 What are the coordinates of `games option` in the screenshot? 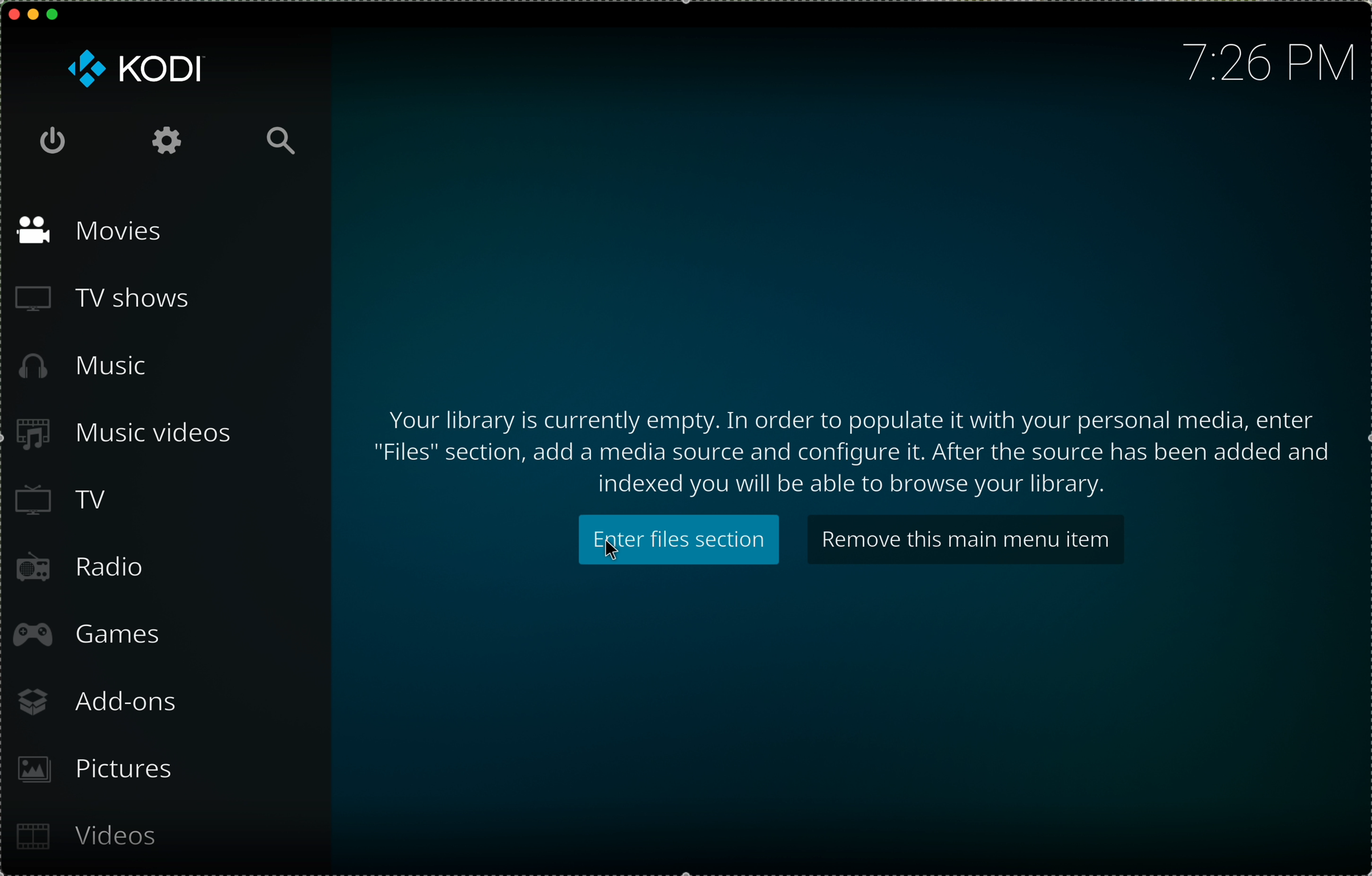 It's located at (89, 637).